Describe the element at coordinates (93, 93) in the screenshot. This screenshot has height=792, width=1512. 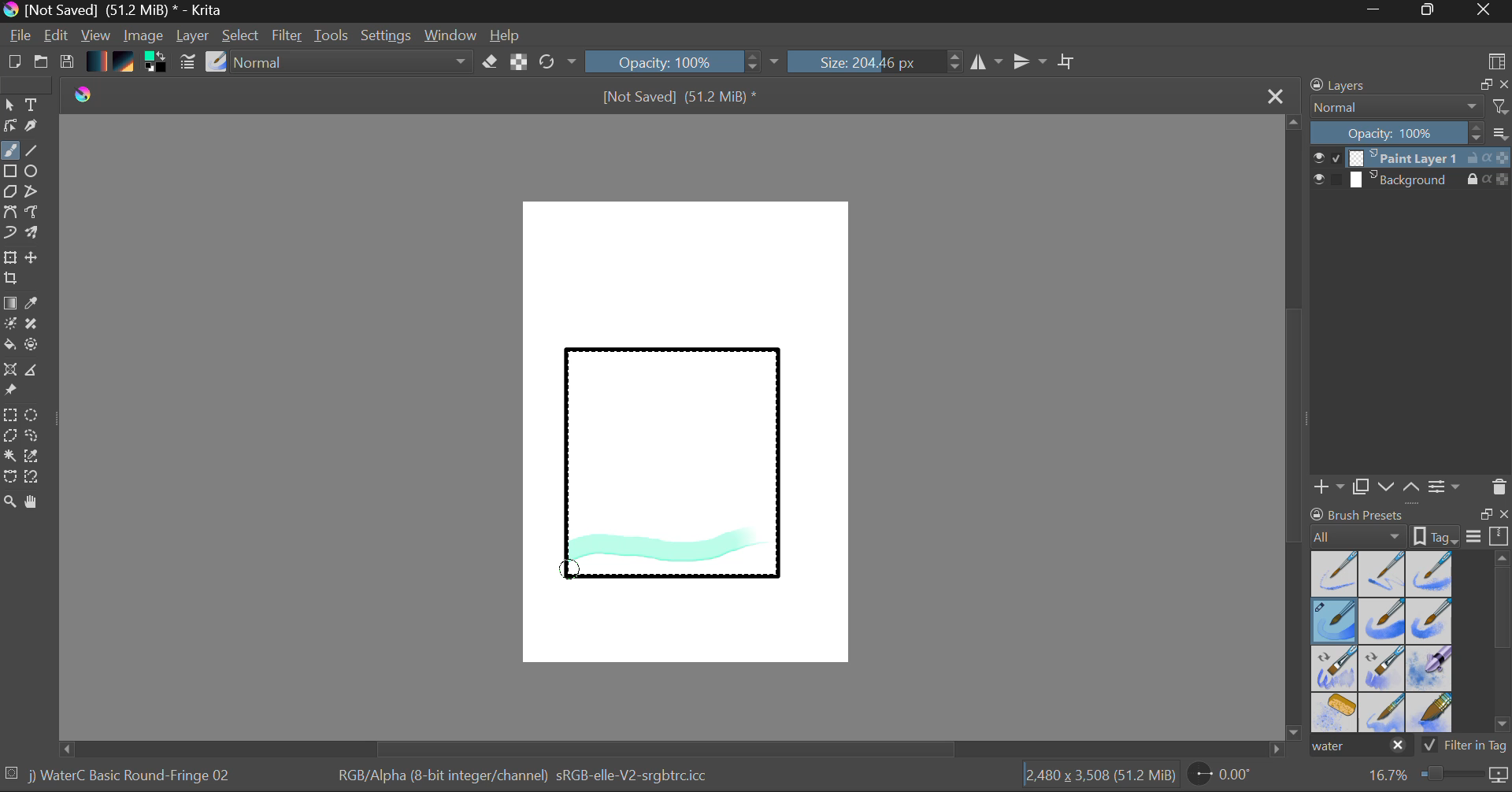
I see `logo` at that location.